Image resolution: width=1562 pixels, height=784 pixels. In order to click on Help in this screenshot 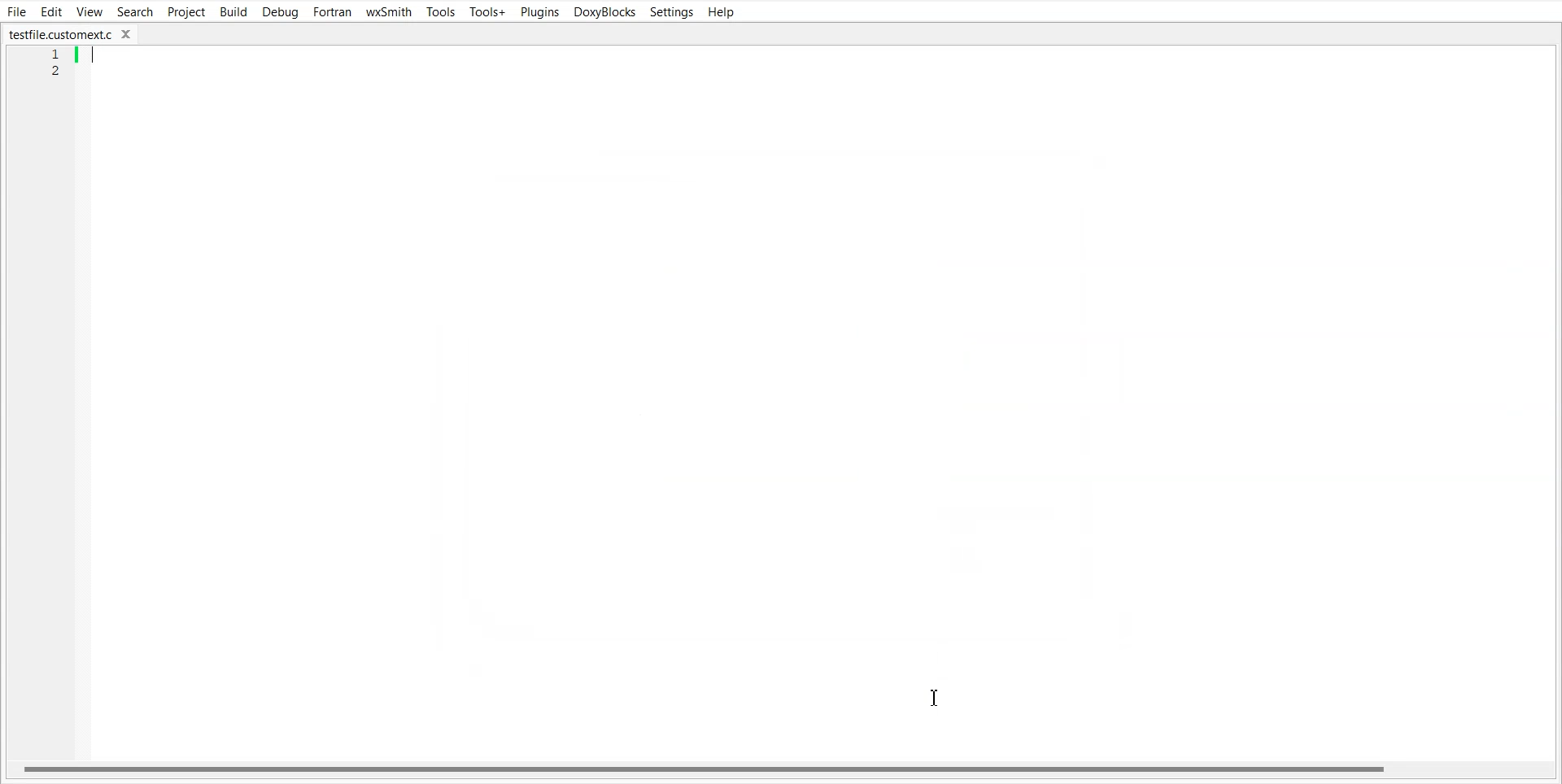, I will do `click(723, 12)`.